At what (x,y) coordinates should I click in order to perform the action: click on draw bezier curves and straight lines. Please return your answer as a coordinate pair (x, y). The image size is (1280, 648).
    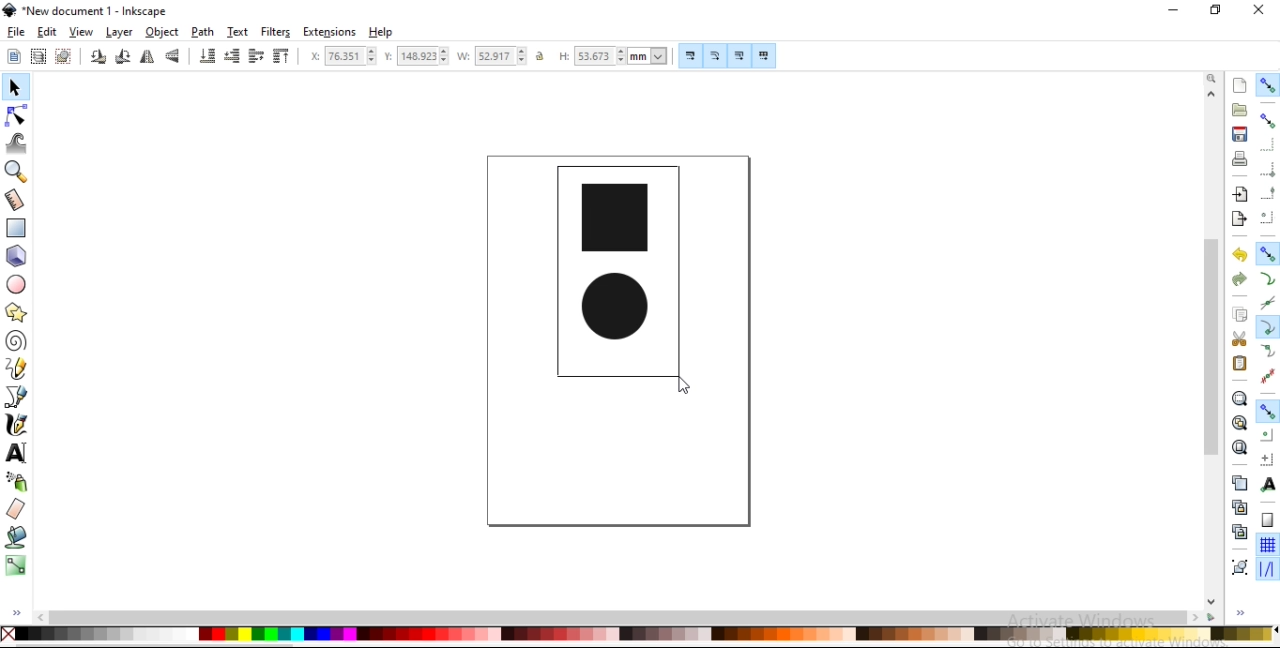
    Looking at the image, I should click on (17, 398).